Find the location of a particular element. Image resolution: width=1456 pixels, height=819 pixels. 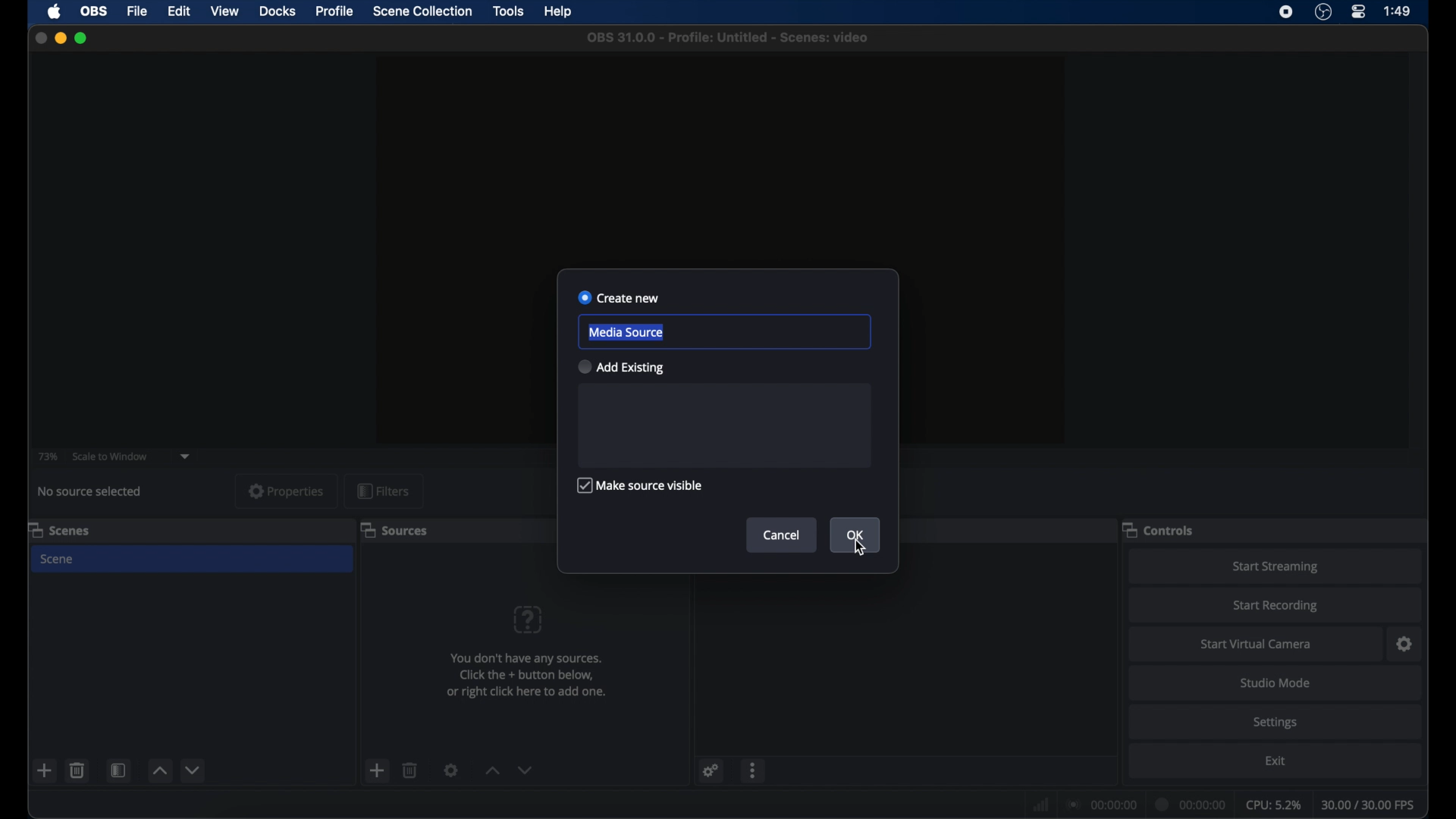

docks is located at coordinates (278, 10).